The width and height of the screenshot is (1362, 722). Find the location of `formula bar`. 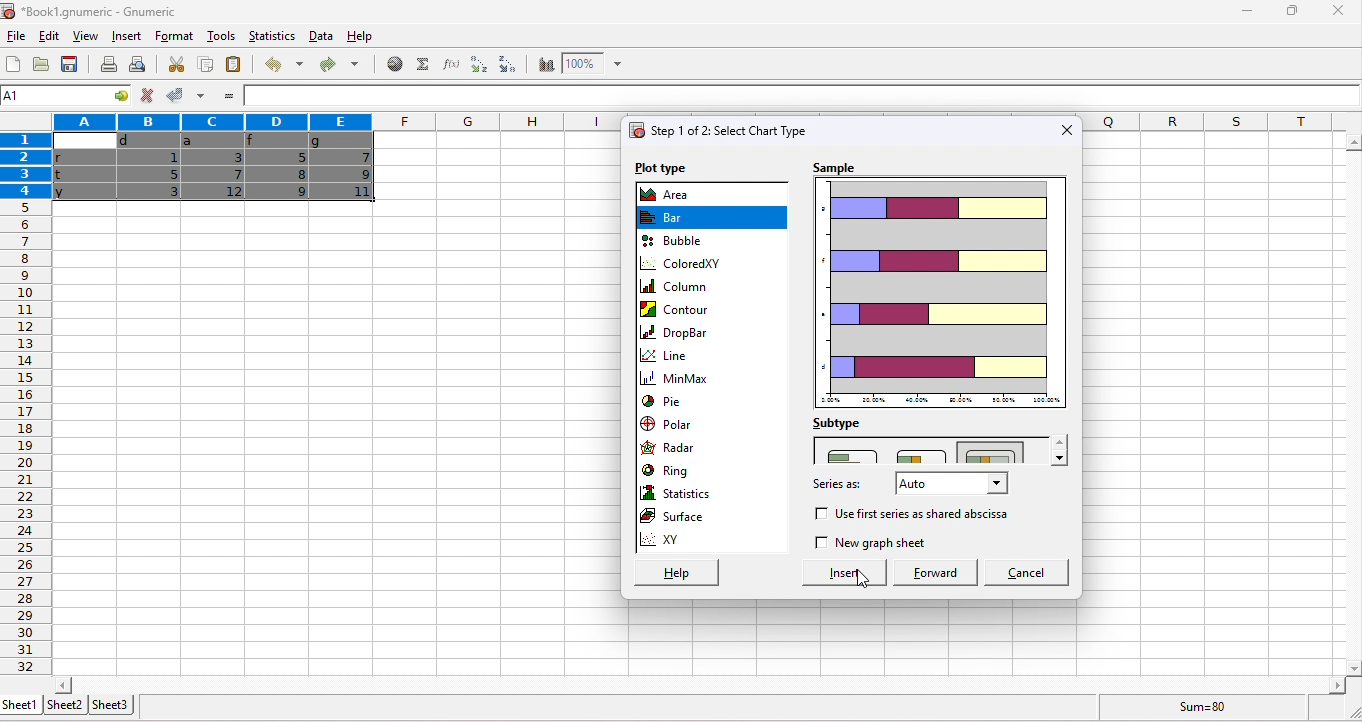

formula bar is located at coordinates (803, 95).